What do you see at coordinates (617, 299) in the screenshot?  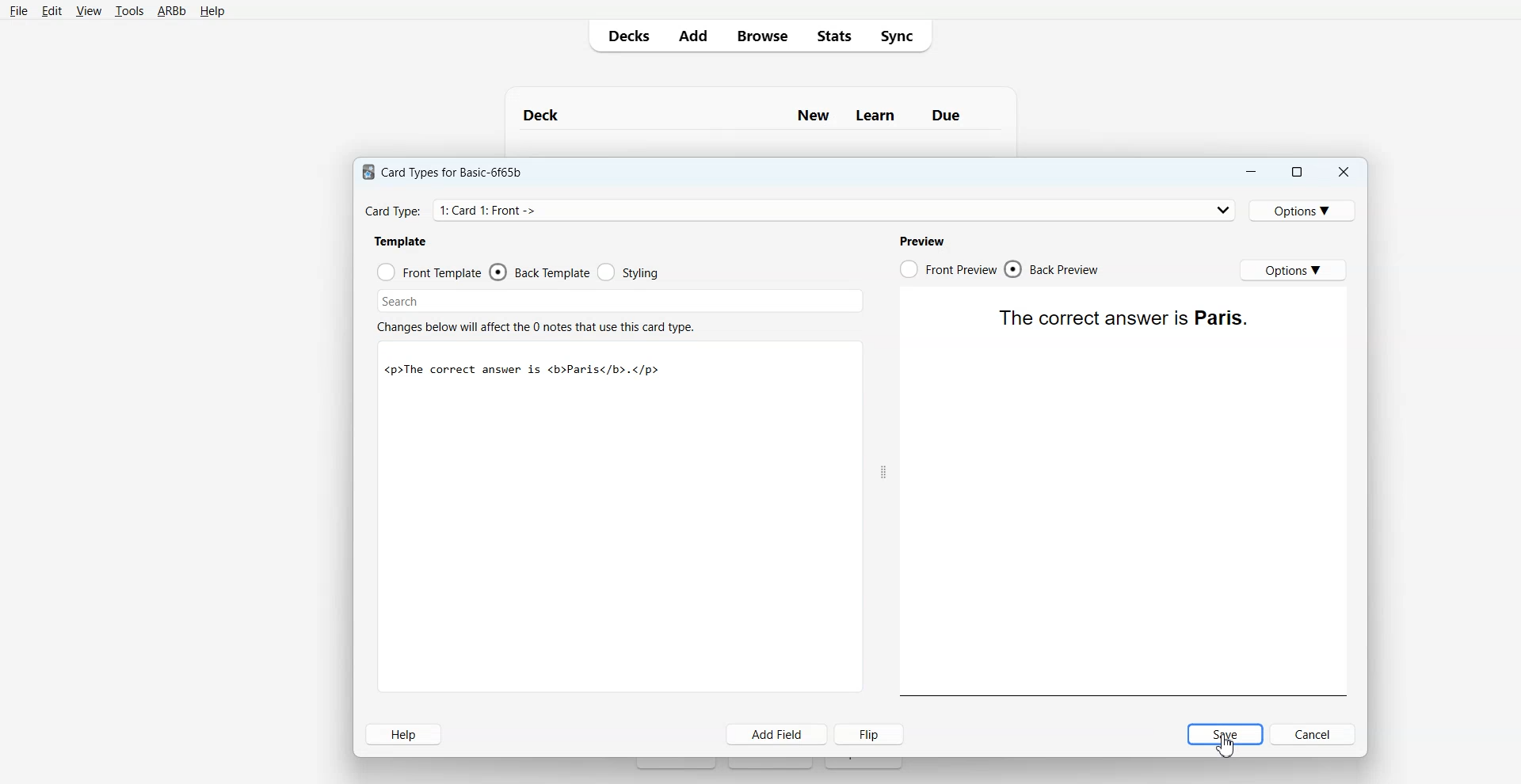 I see `Search Bar` at bounding box center [617, 299].